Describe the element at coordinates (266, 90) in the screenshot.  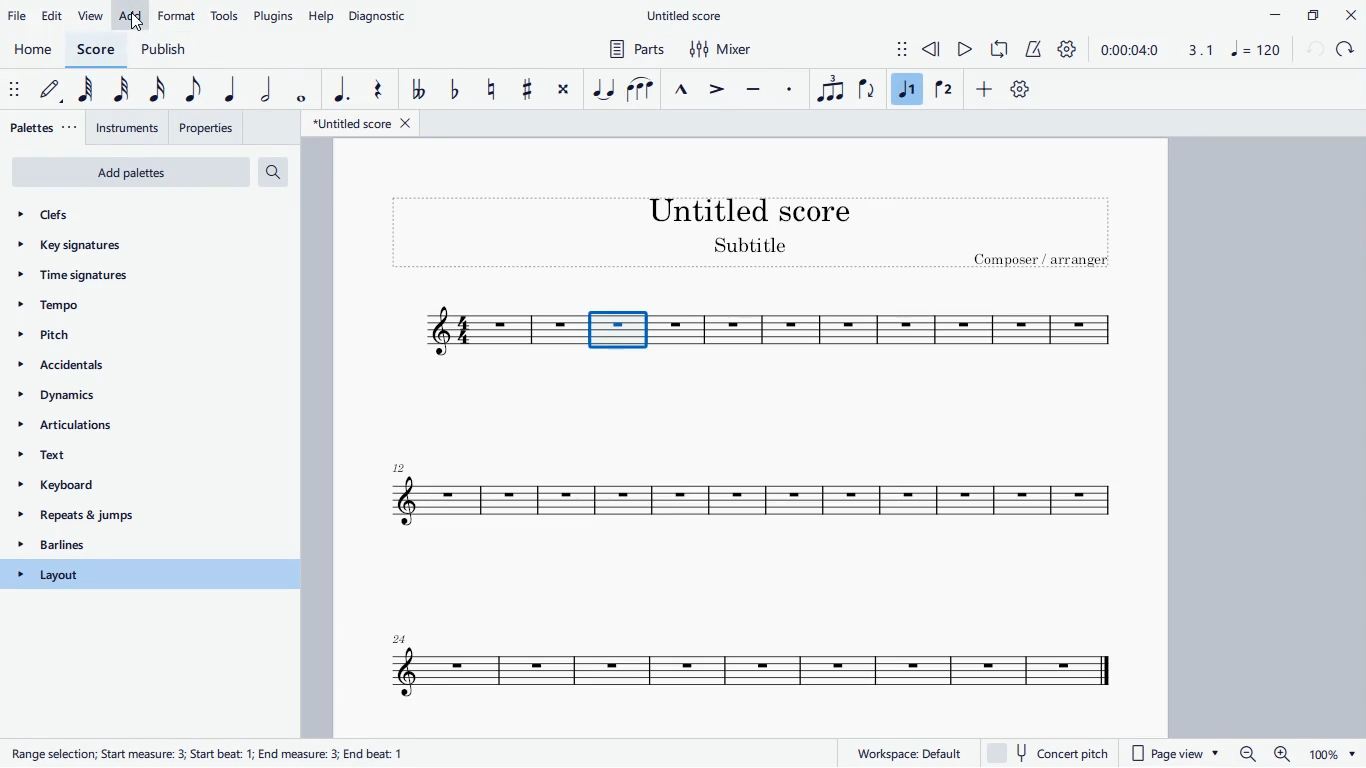
I see `half note` at that location.